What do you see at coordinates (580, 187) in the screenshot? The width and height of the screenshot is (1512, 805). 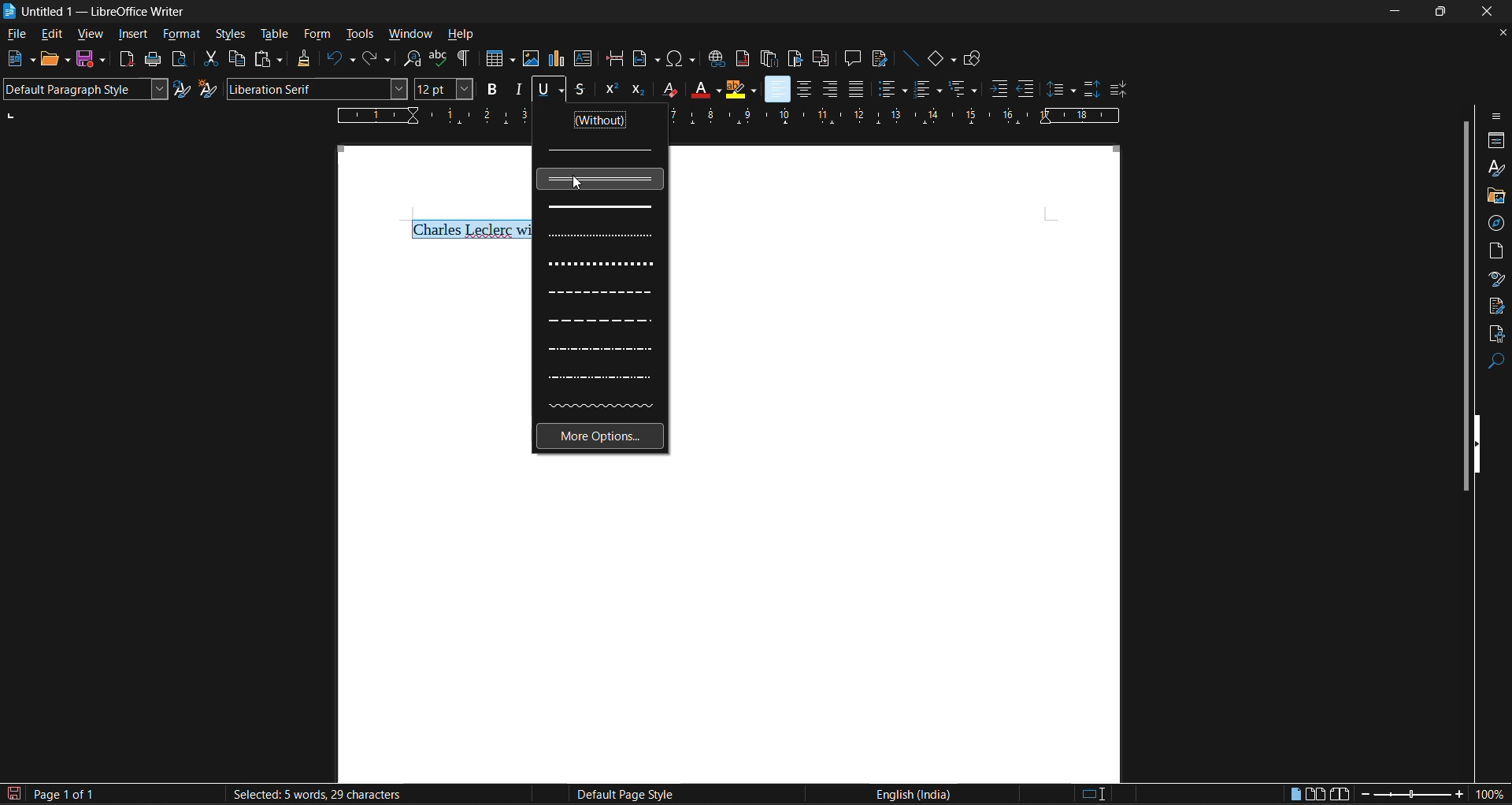 I see `cursor` at bounding box center [580, 187].